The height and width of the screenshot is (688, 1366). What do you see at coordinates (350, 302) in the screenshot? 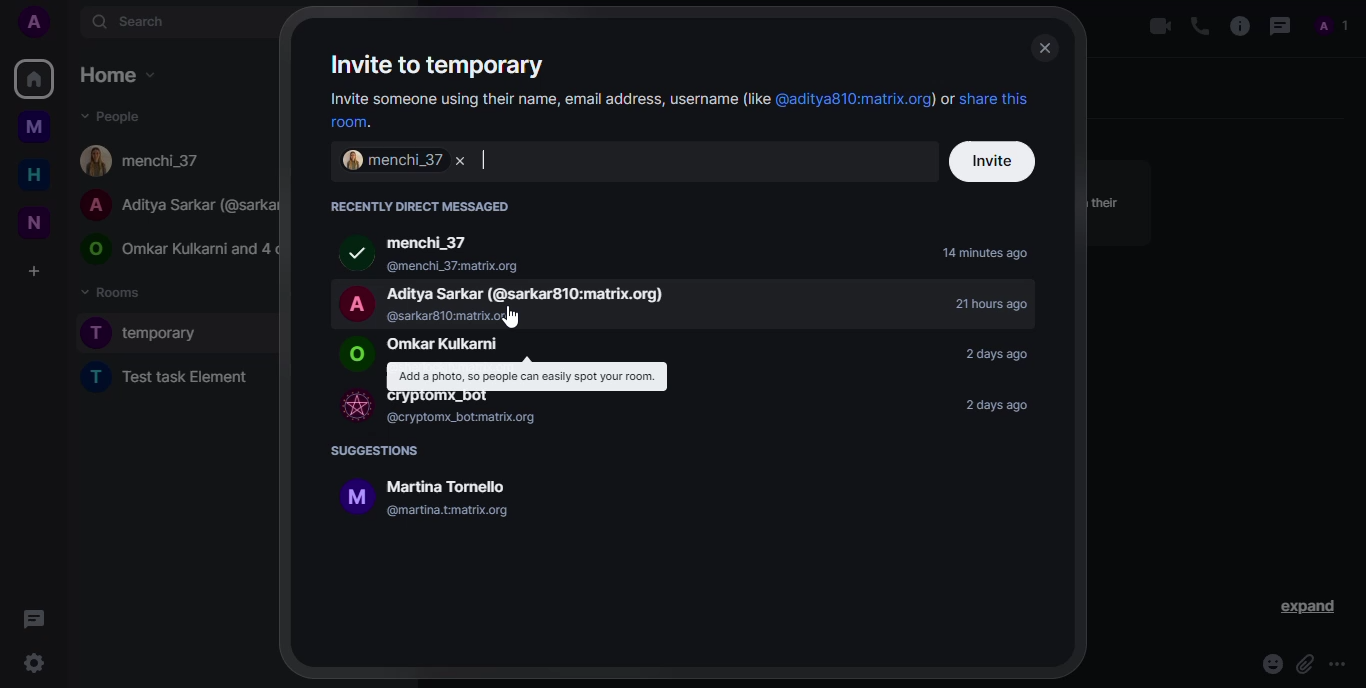
I see `profile picture` at bounding box center [350, 302].